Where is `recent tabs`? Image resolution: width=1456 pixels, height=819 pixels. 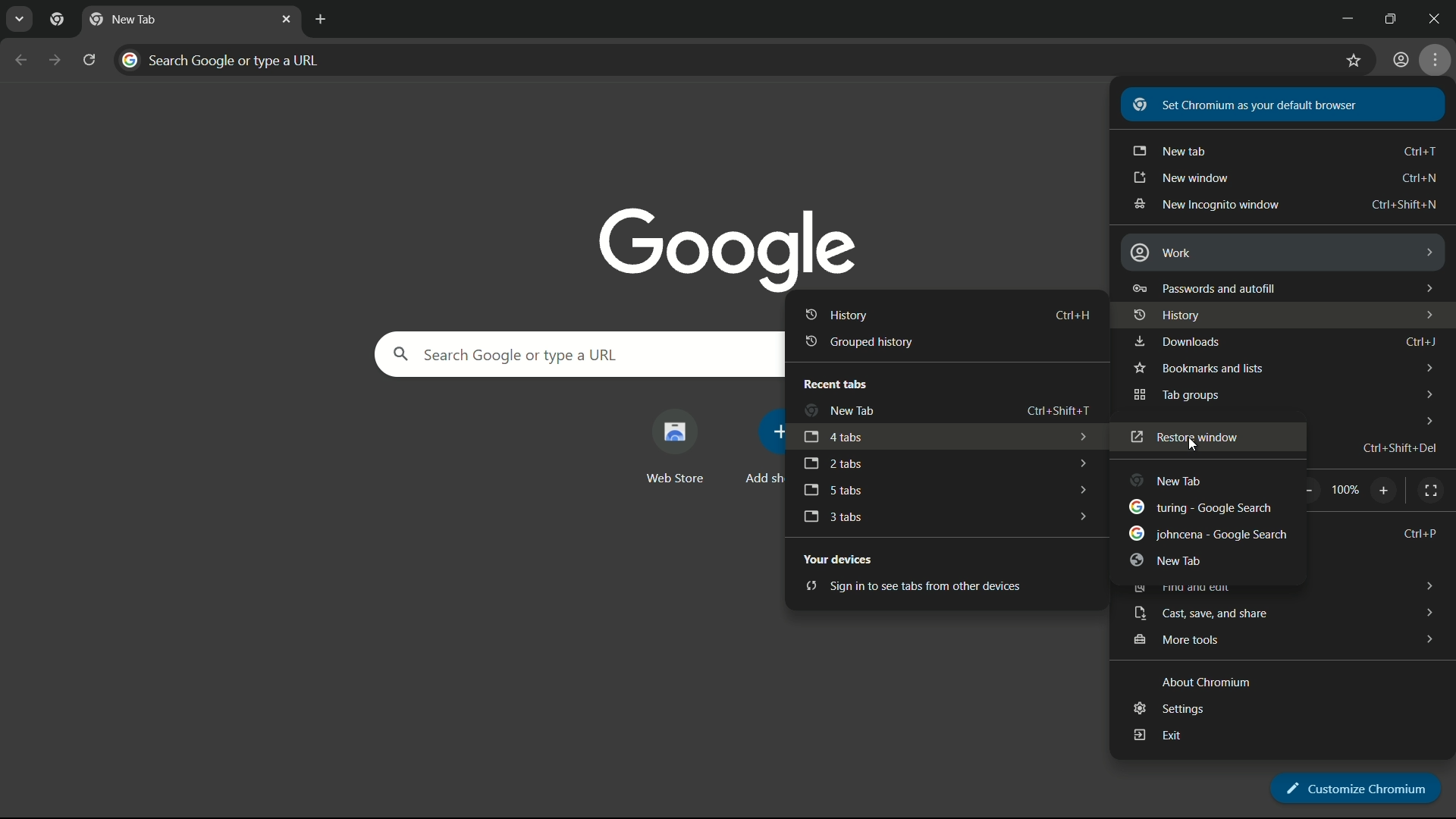 recent tabs is located at coordinates (833, 384).